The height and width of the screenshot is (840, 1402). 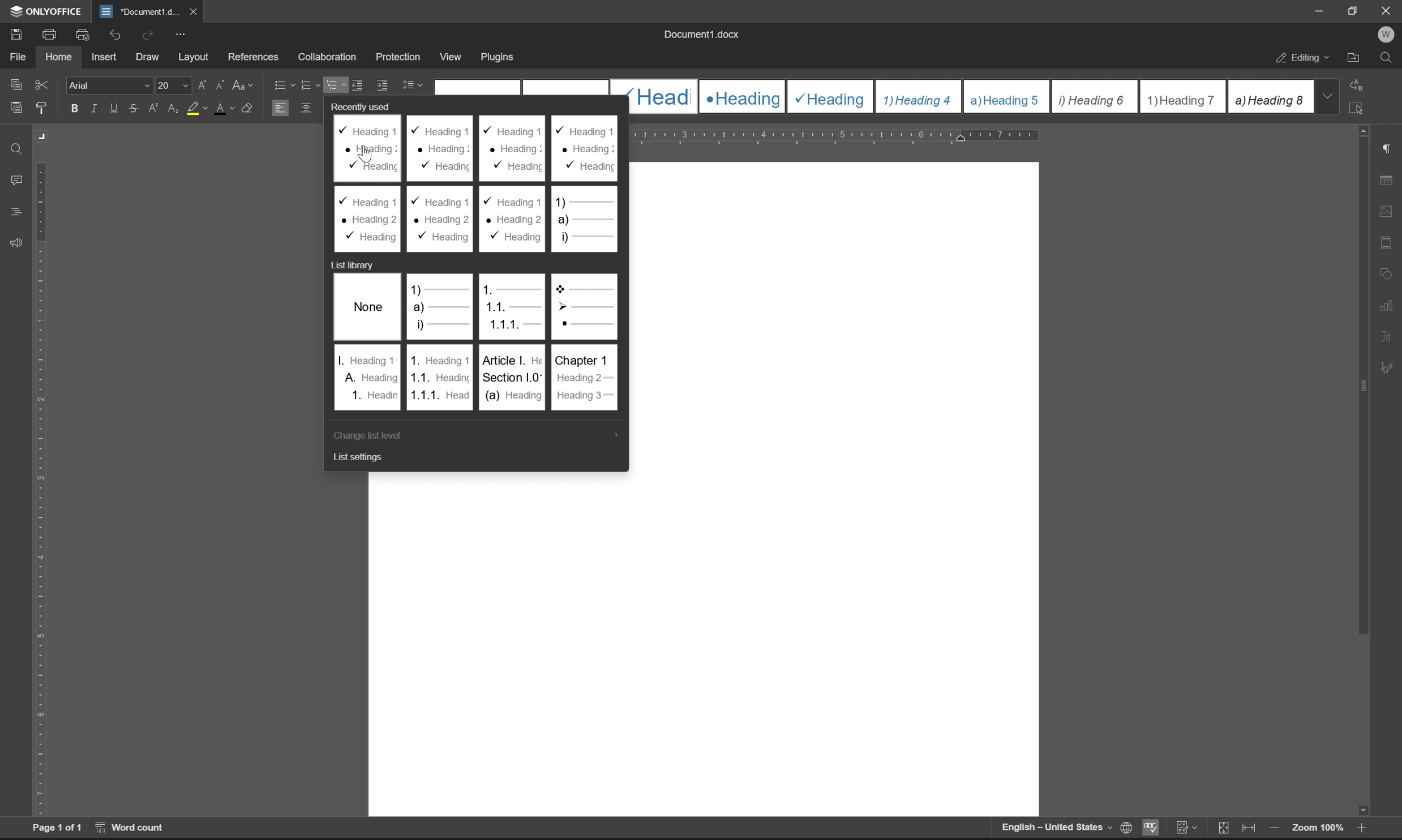 I want to click on increment font case, so click(x=201, y=83).